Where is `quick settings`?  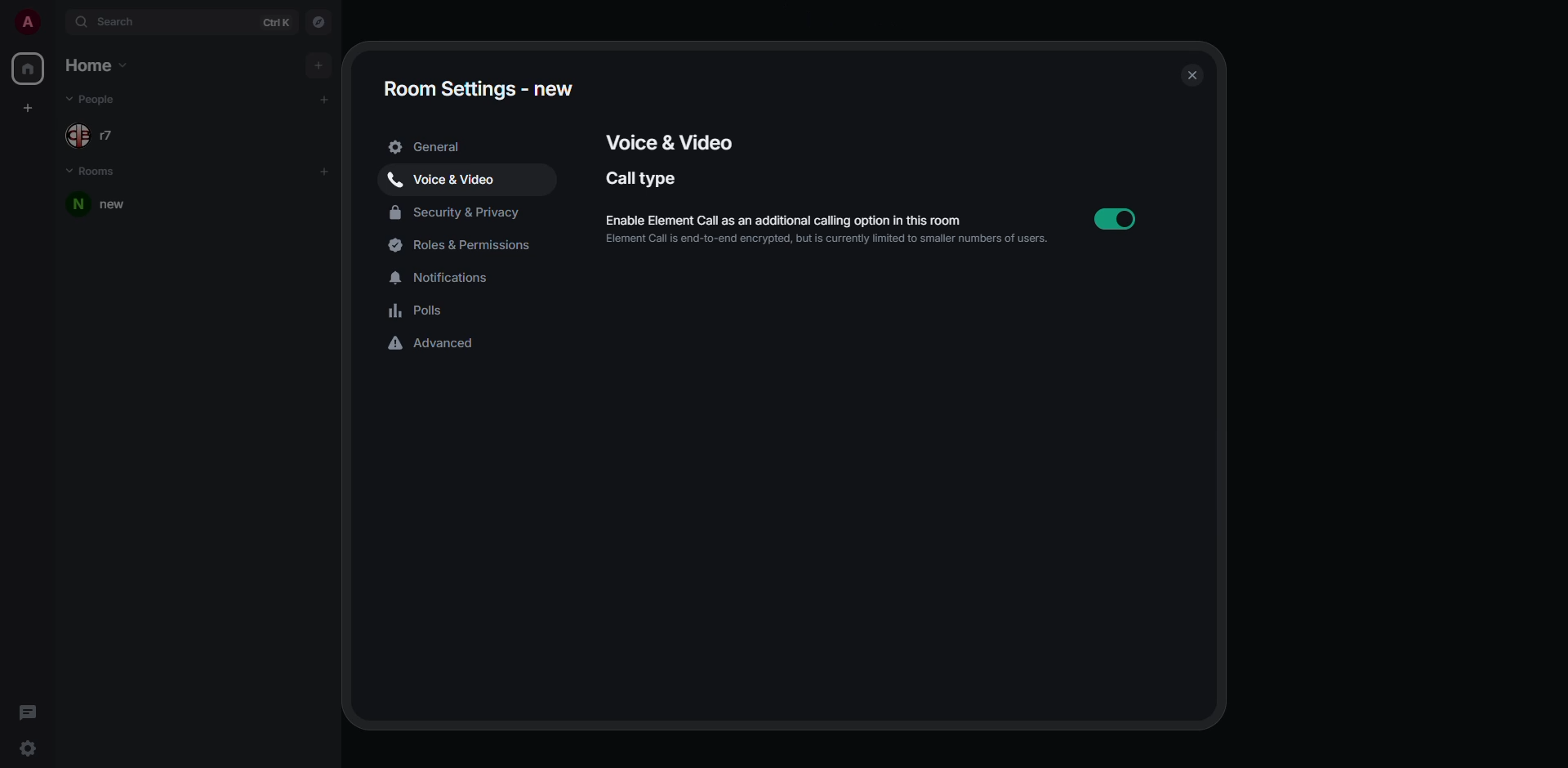 quick settings is located at coordinates (30, 748).